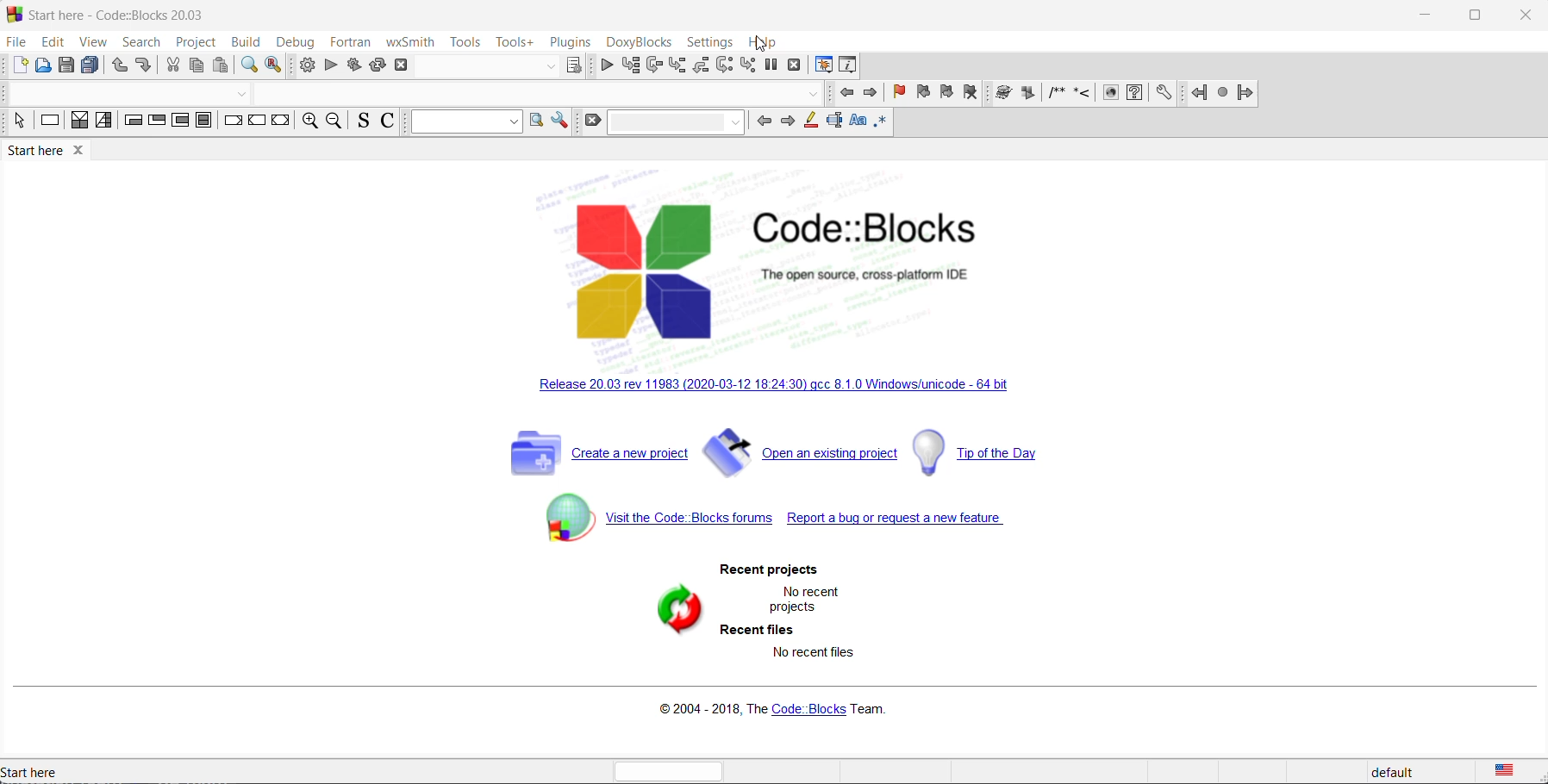 This screenshot has height=784, width=1548. What do you see at coordinates (116, 16) in the screenshot?
I see `start here` at bounding box center [116, 16].